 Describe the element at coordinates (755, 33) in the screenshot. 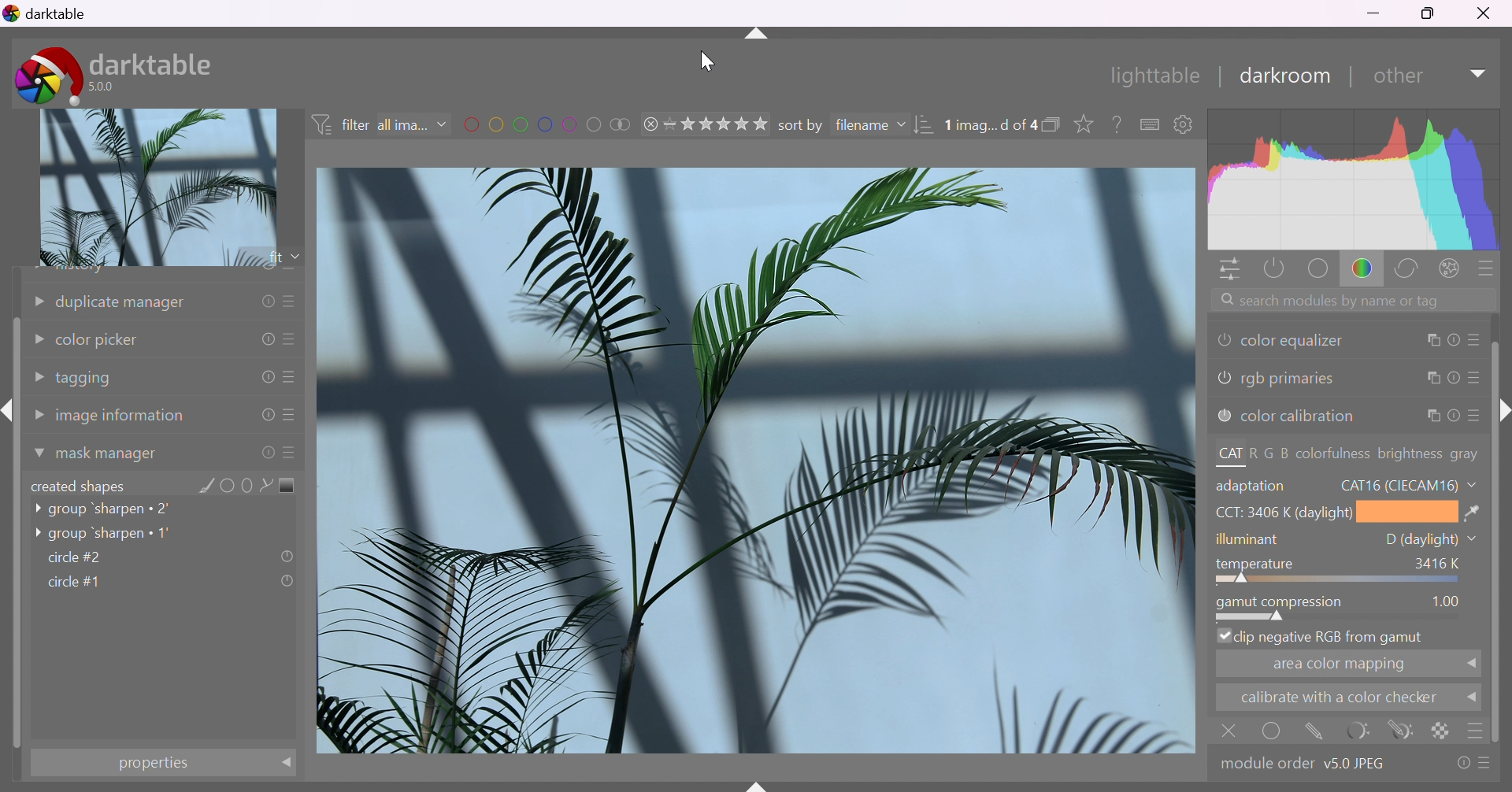

I see `more` at that location.